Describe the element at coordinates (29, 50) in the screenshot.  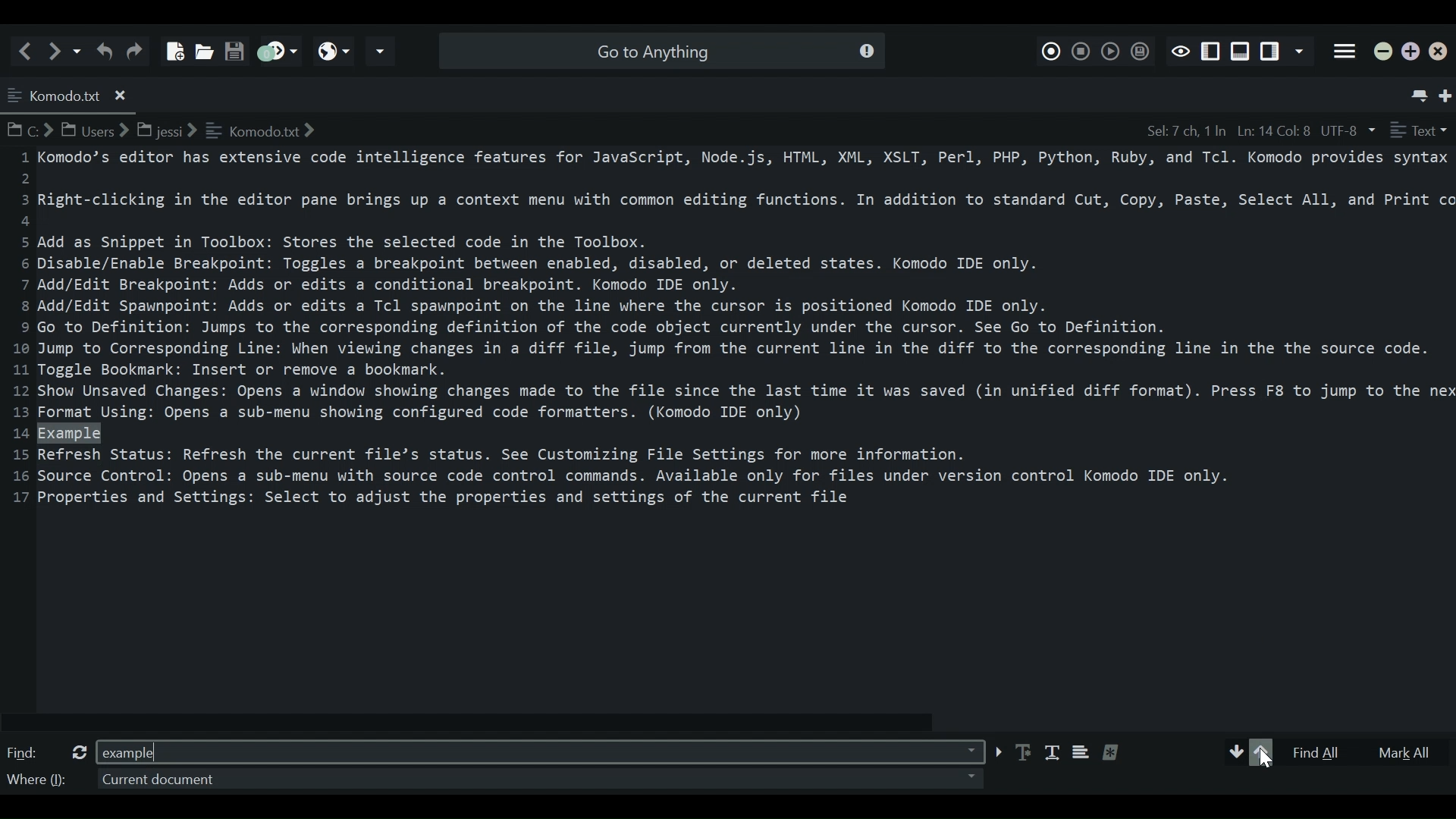
I see `Go back one location ` at that location.